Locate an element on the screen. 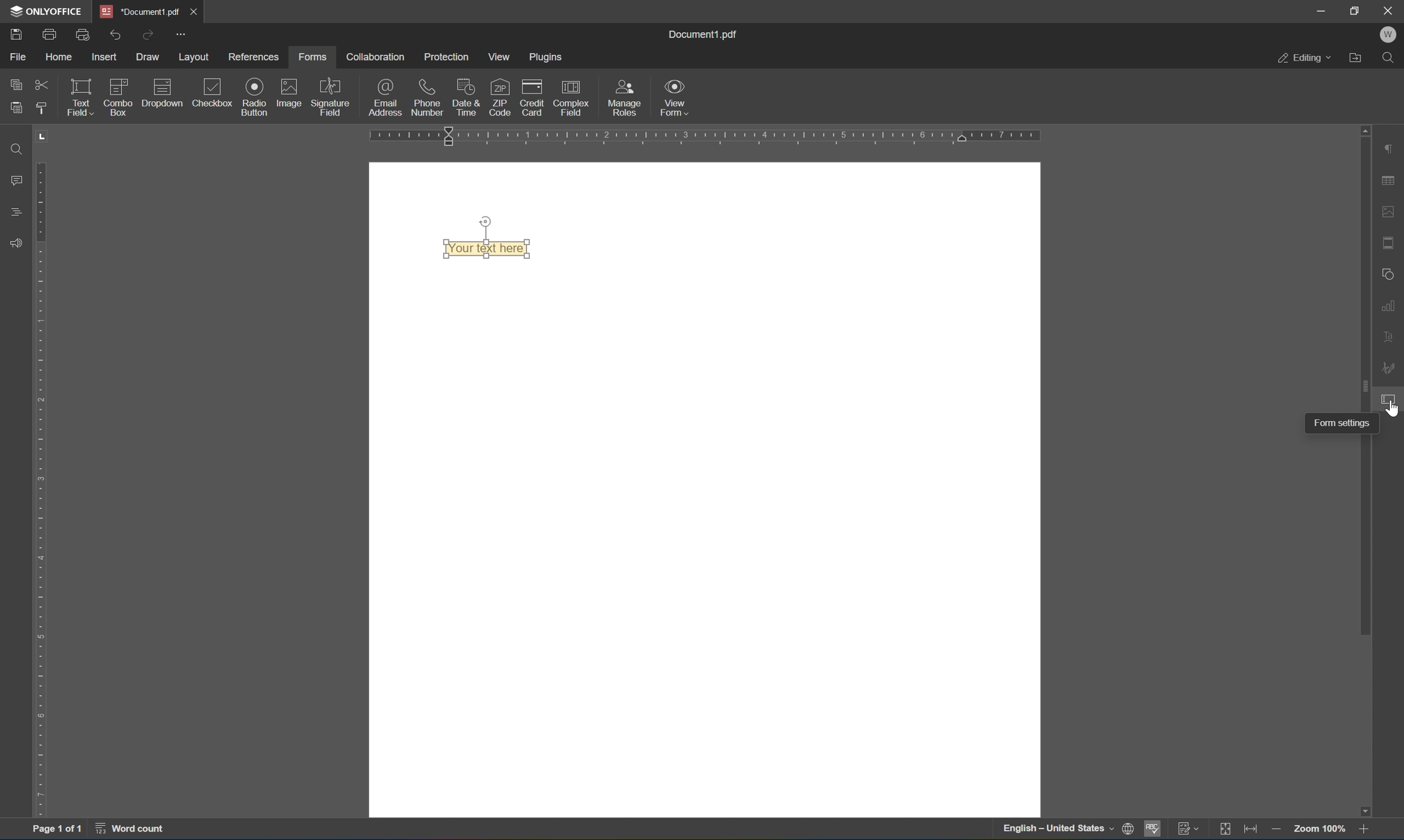 The height and width of the screenshot is (840, 1404). undo is located at coordinates (112, 35).